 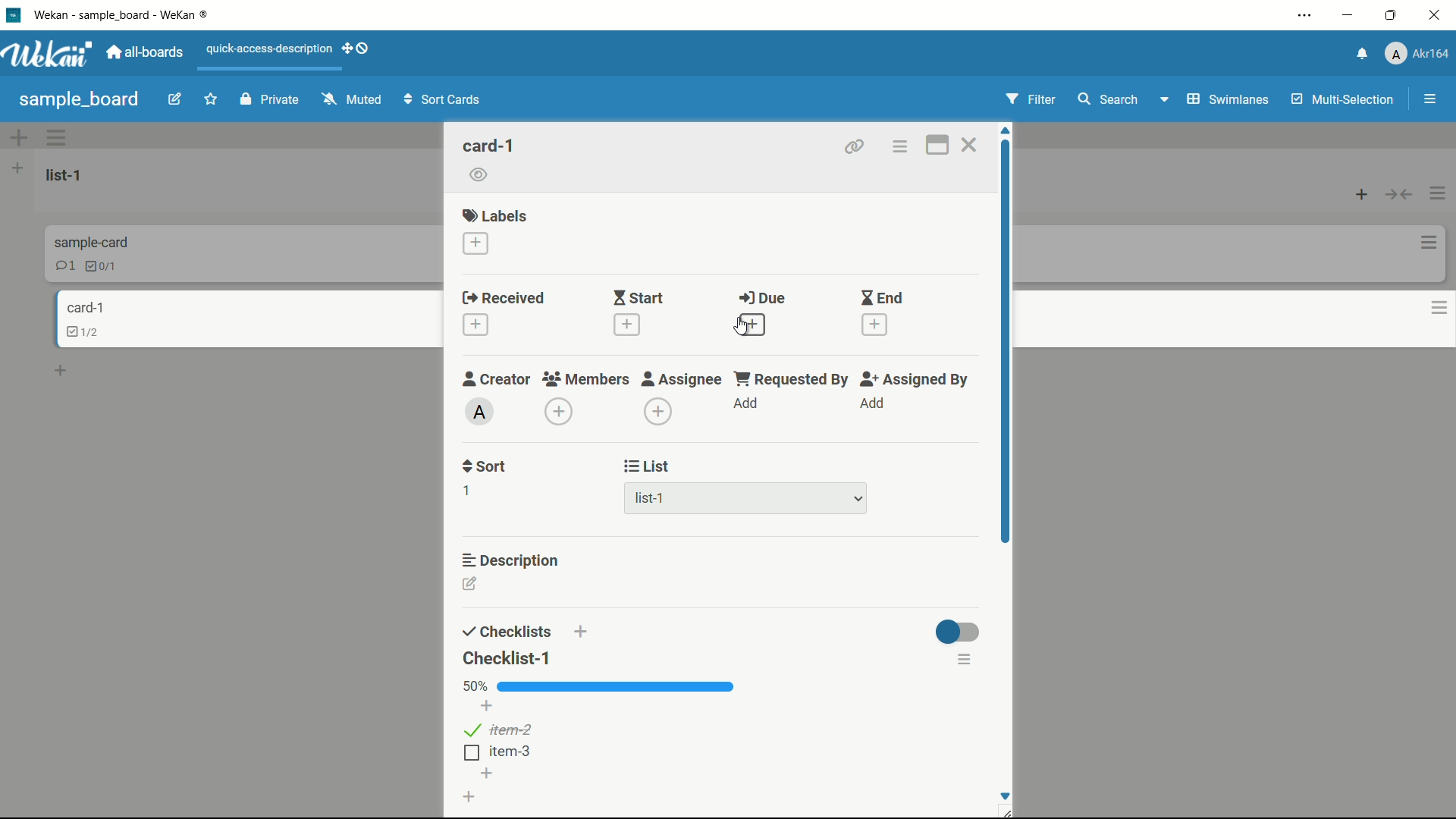 What do you see at coordinates (499, 729) in the screenshot?
I see `item-2` at bounding box center [499, 729].